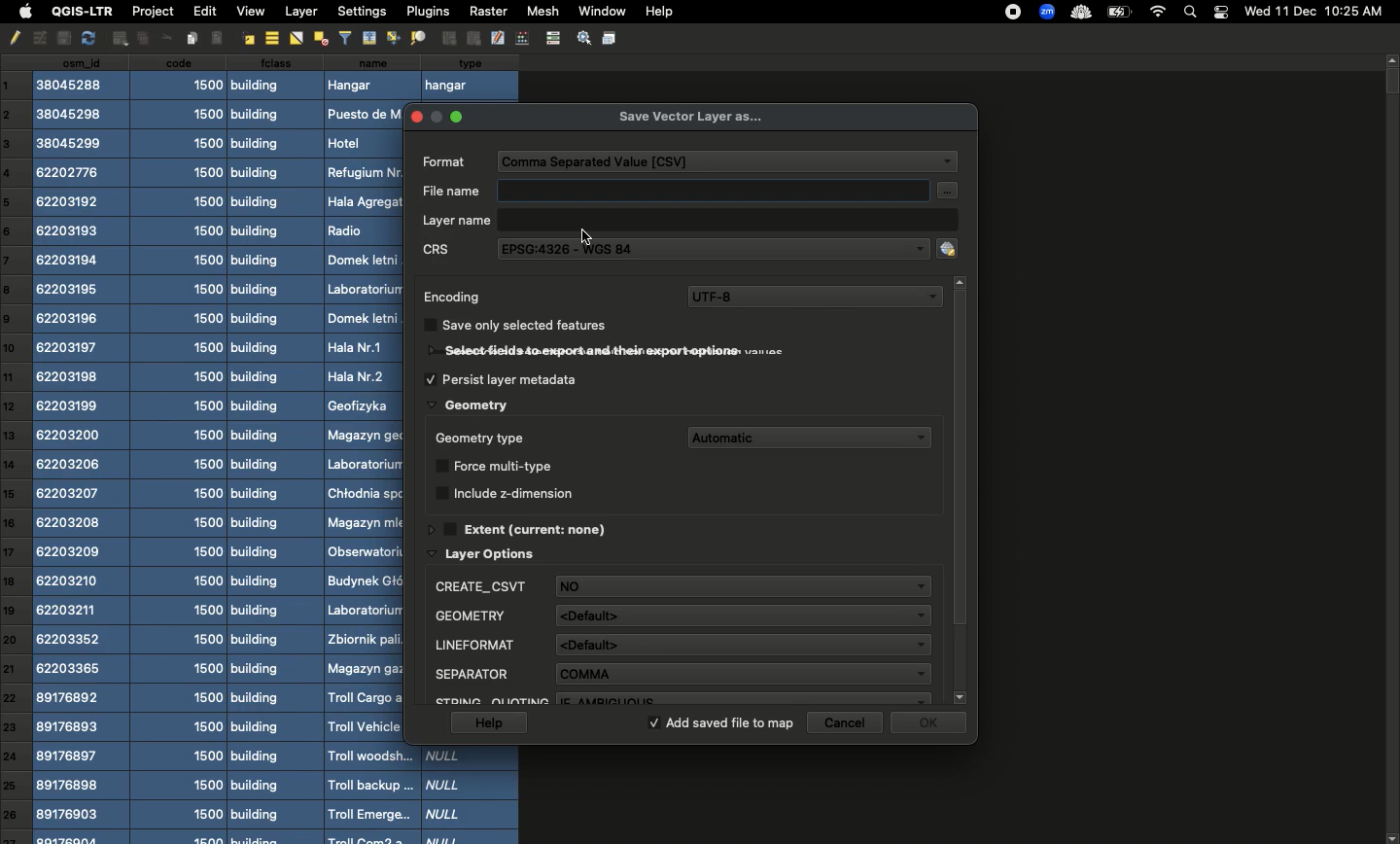 This screenshot has width=1400, height=844. I want to click on cloud, so click(1079, 11).